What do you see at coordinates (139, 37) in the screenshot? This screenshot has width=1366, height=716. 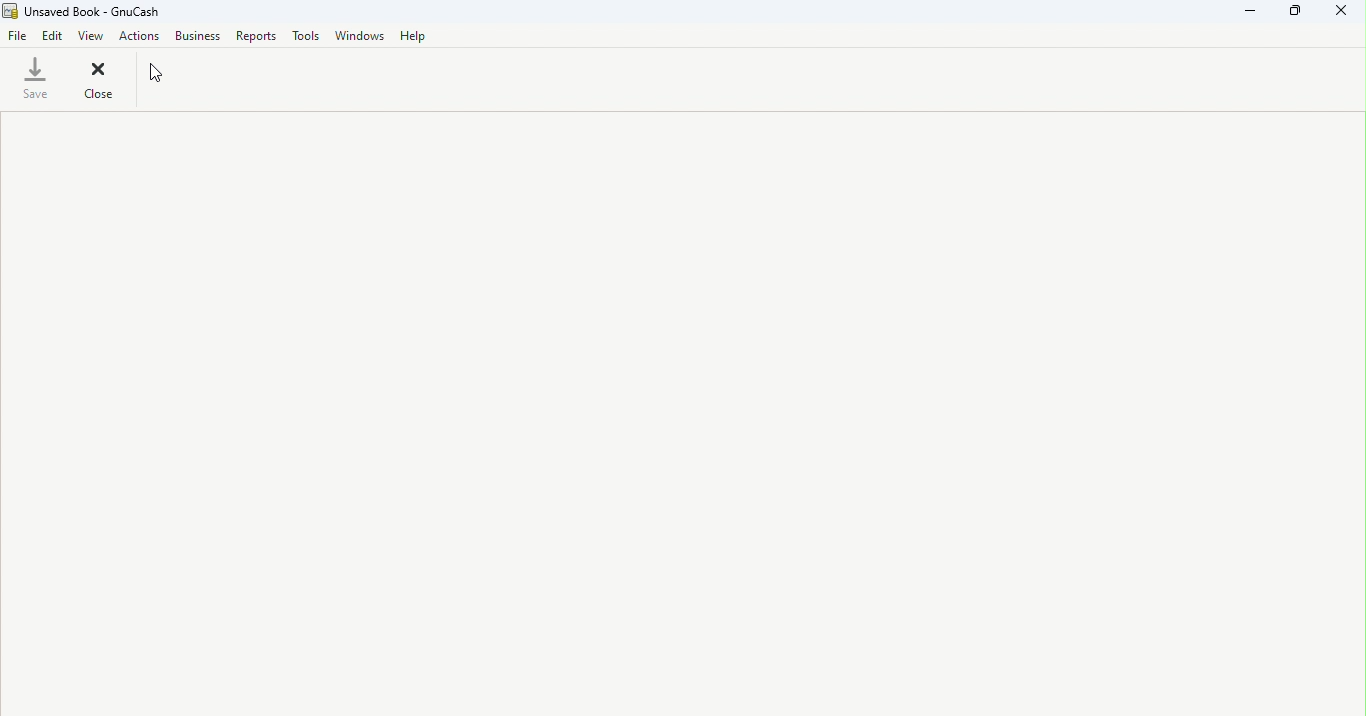 I see `actions` at bounding box center [139, 37].